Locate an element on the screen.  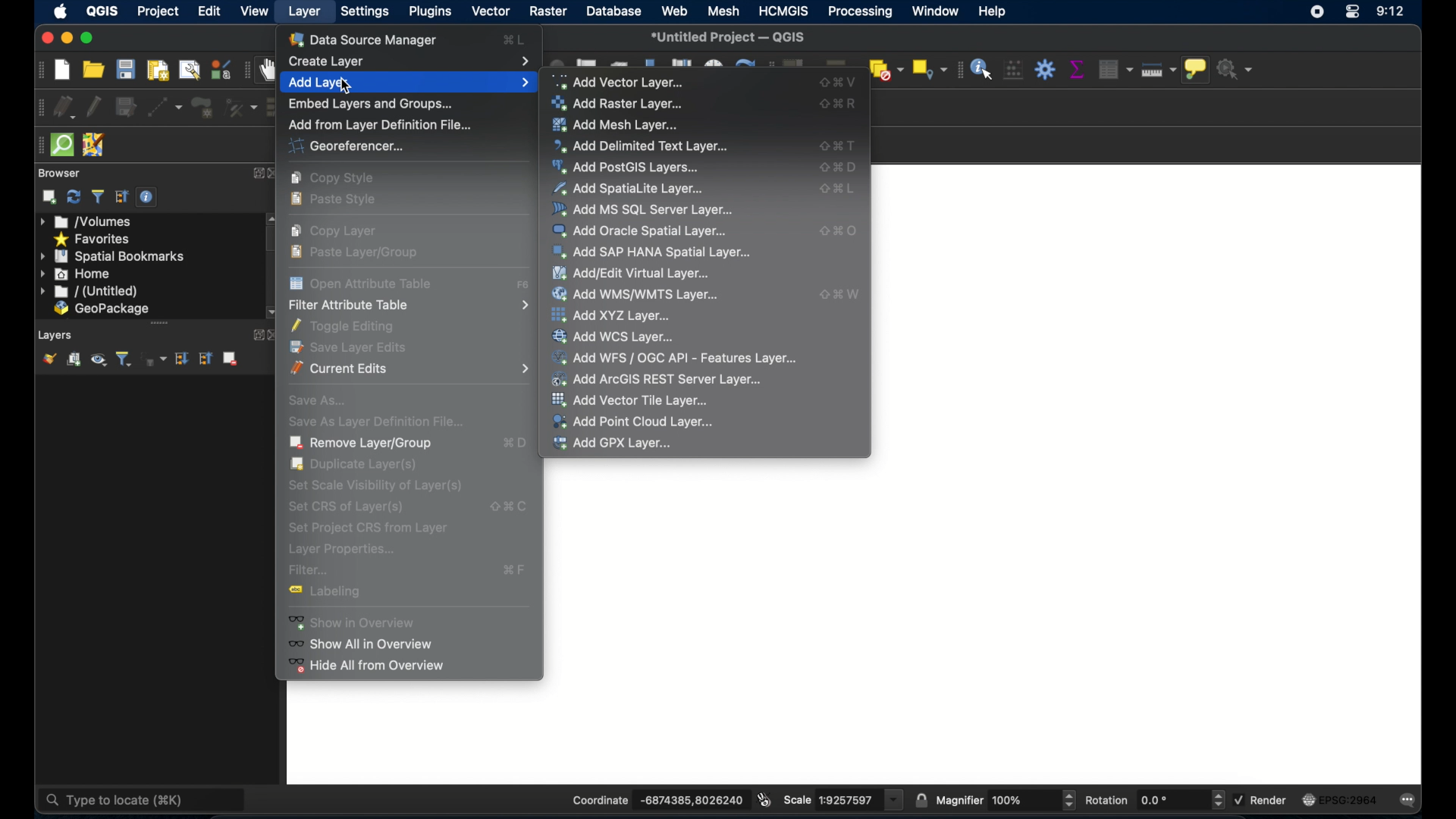
favorites is located at coordinates (93, 238).